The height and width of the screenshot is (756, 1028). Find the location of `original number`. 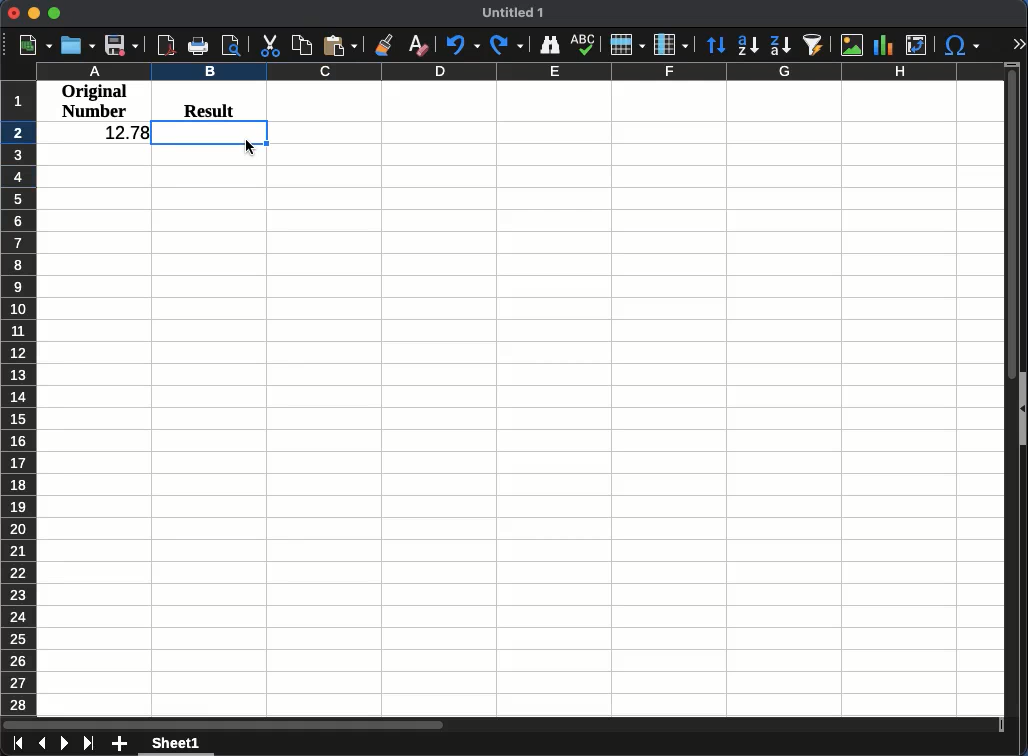

original number is located at coordinates (94, 101).